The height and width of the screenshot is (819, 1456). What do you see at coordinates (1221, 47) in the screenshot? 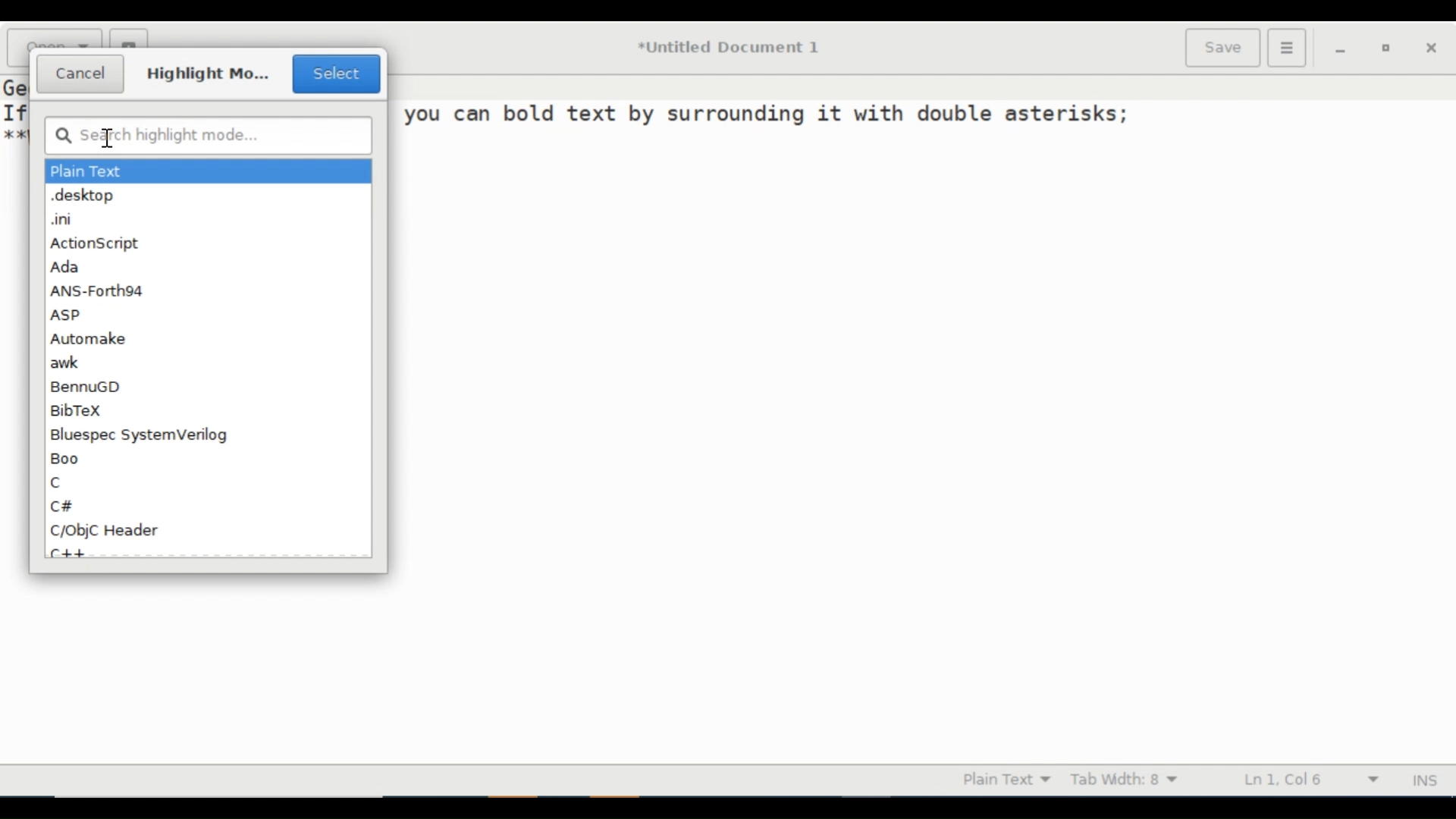
I see `Save` at bounding box center [1221, 47].